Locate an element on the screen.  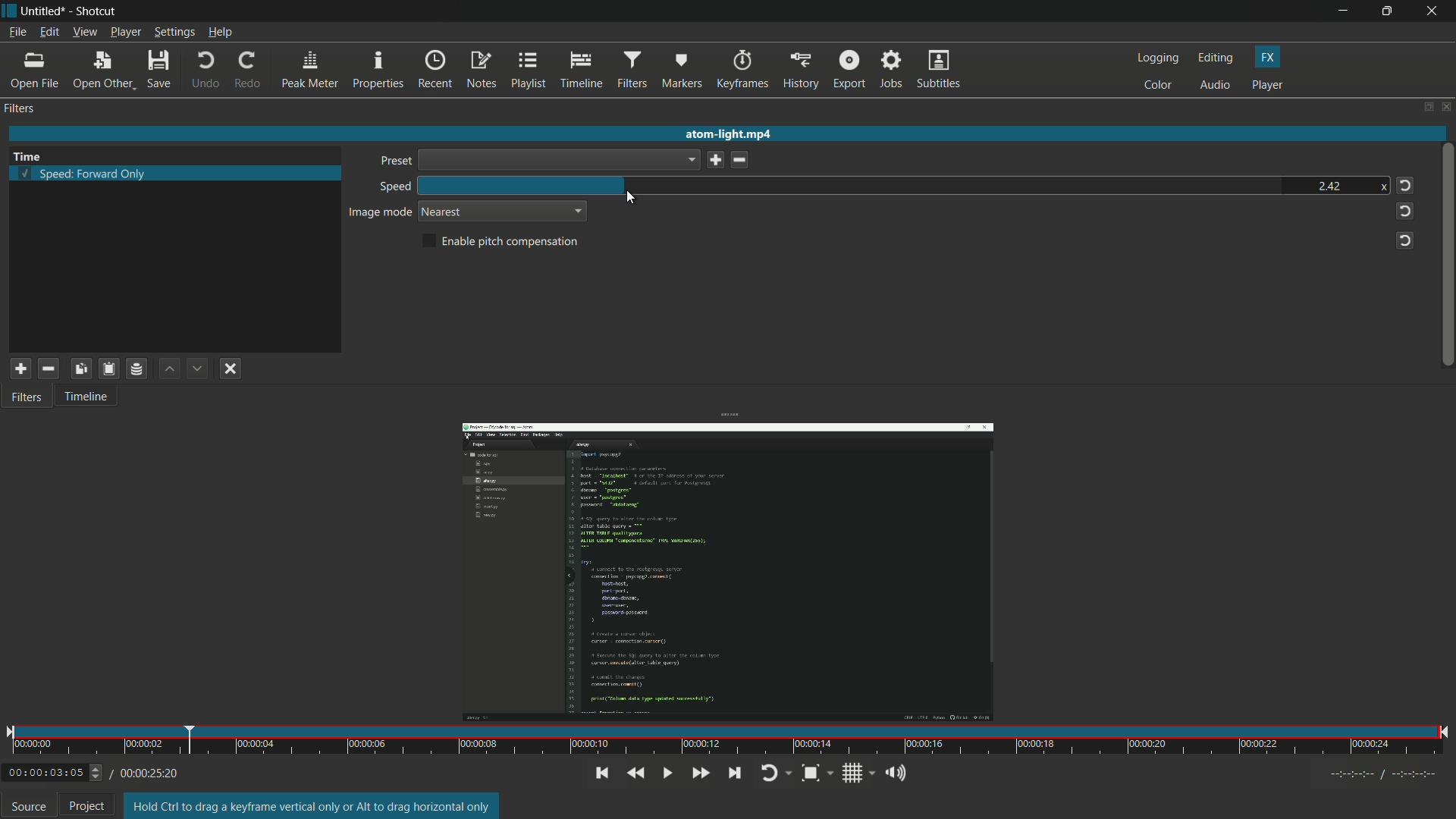
quickly play backwards is located at coordinates (636, 773).